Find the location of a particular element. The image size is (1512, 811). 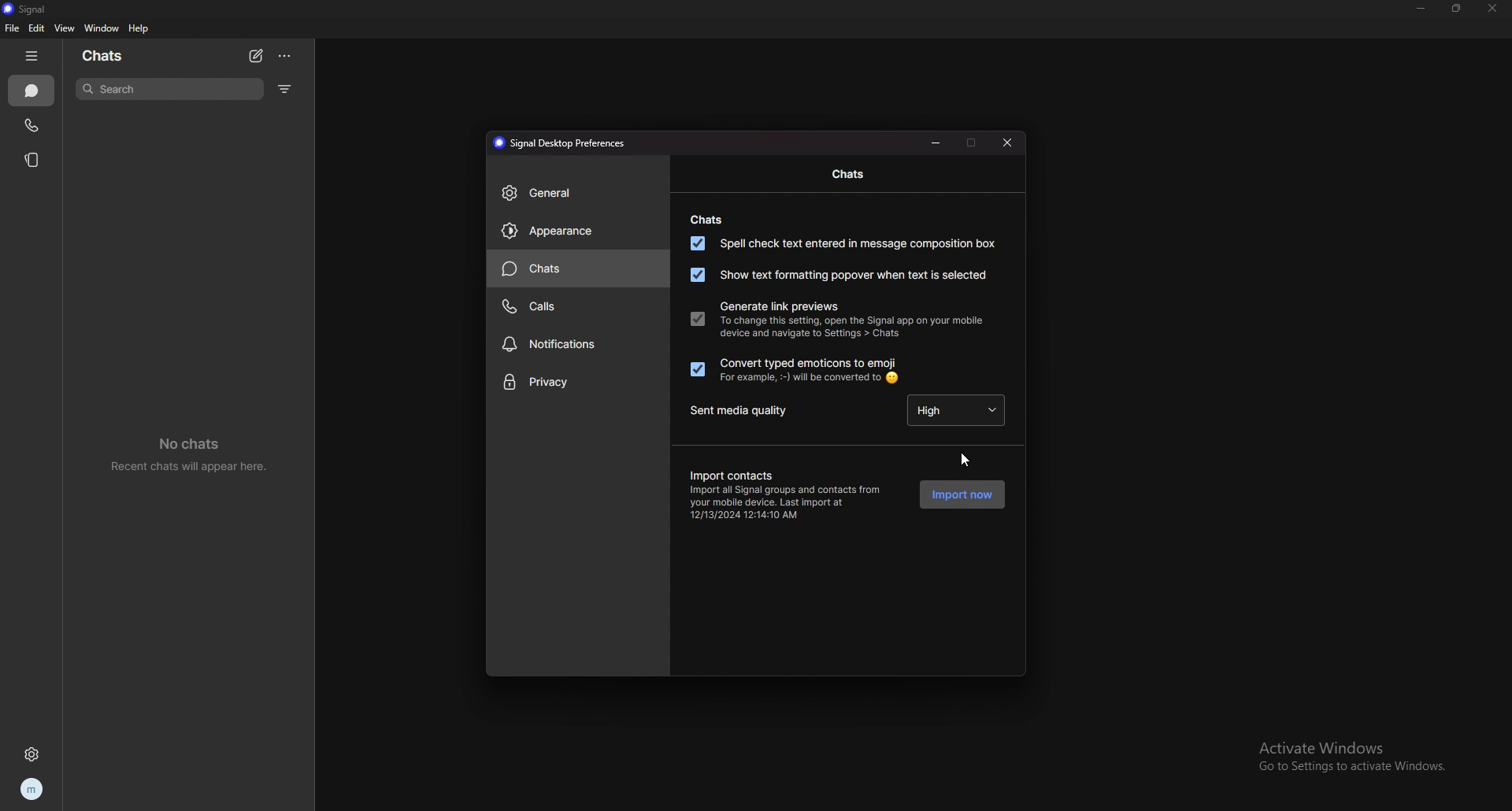

calls is located at coordinates (576, 306).